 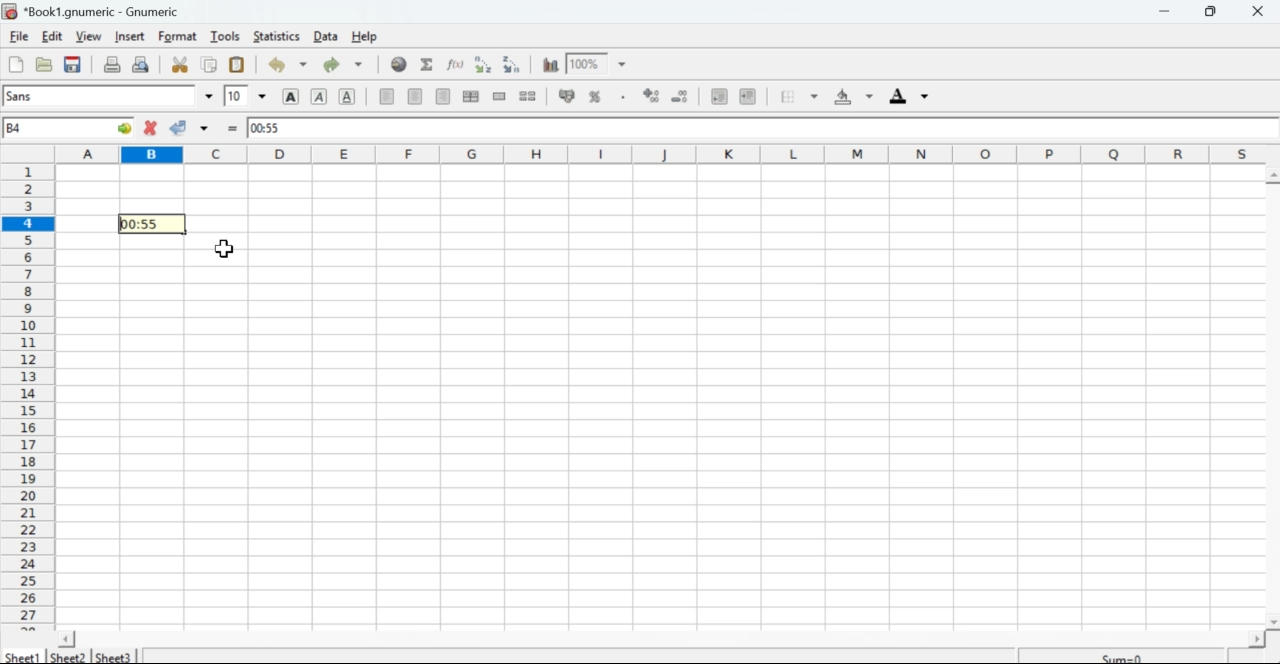 I want to click on Sheet 3, so click(x=114, y=655).